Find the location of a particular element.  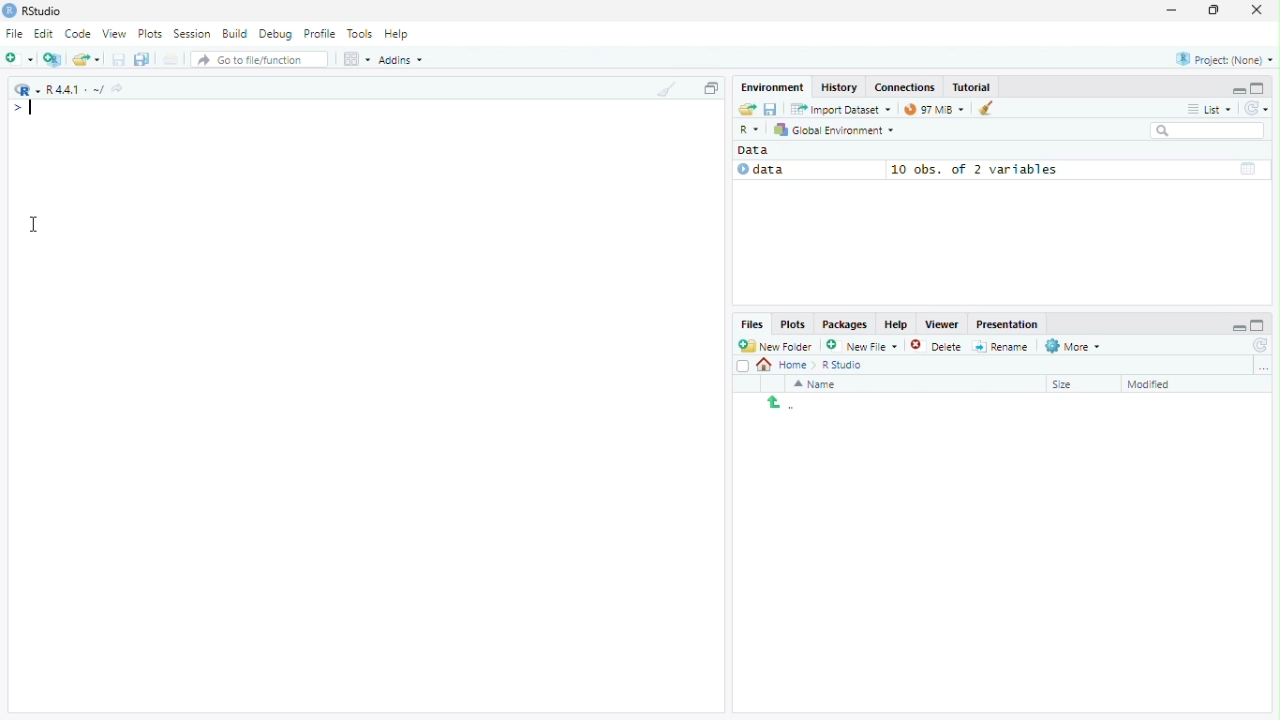

Delete is located at coordinates (937, 345).